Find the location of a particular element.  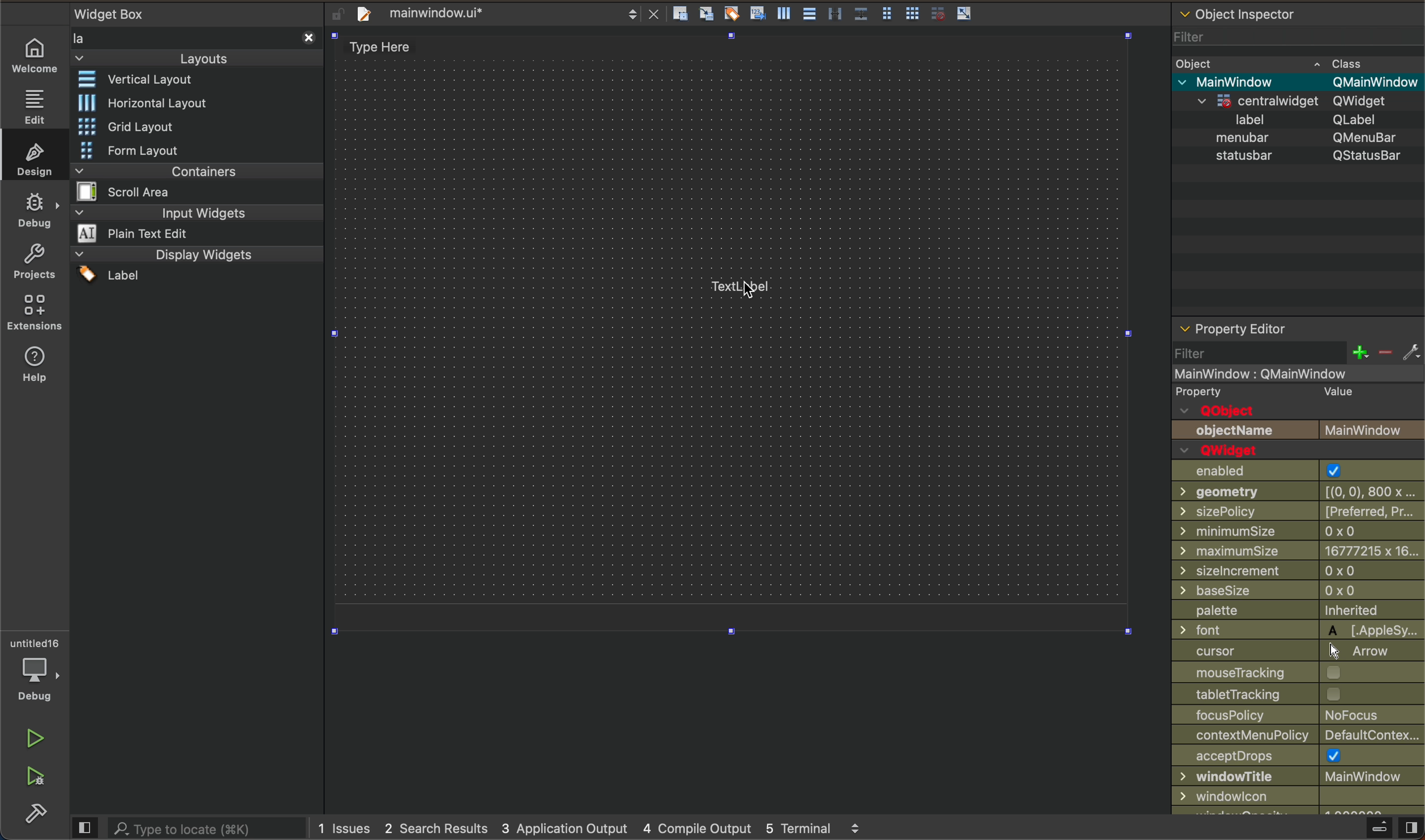

debugger is located at coordinates (38, 668).